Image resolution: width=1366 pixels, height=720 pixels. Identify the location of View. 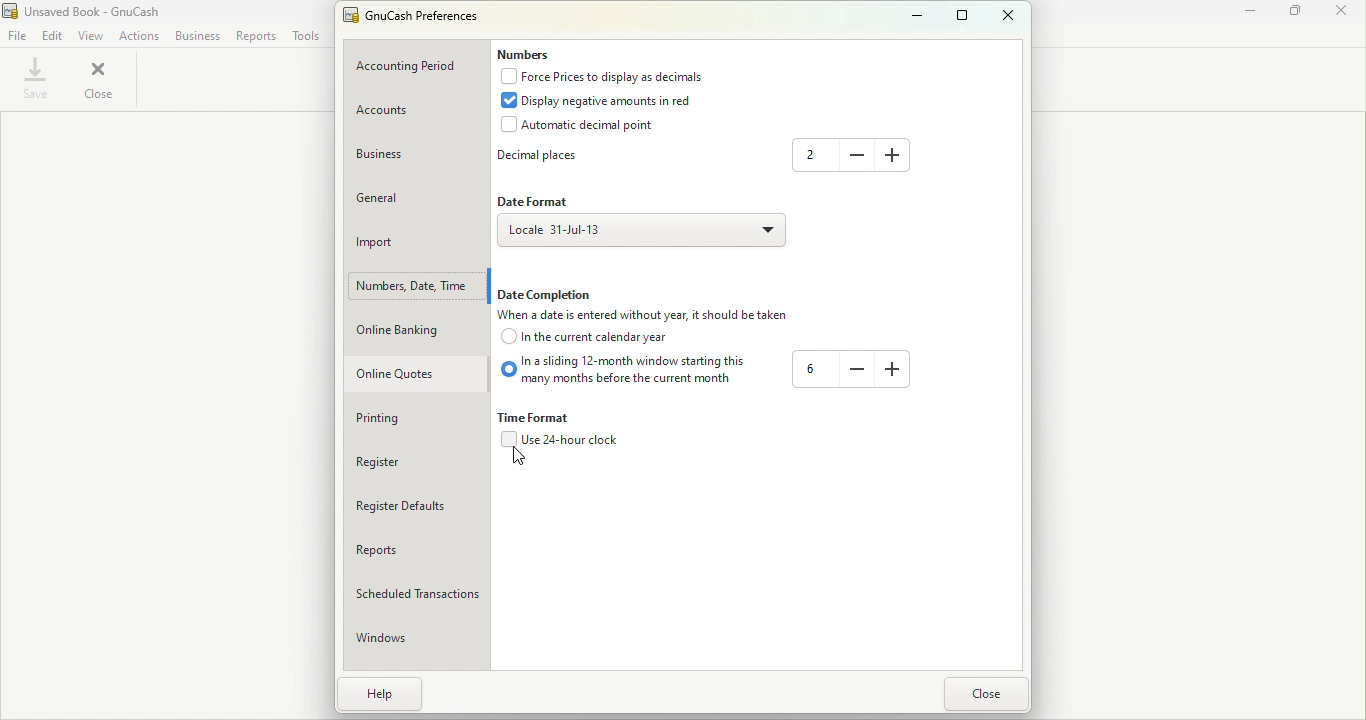
(93, 35).